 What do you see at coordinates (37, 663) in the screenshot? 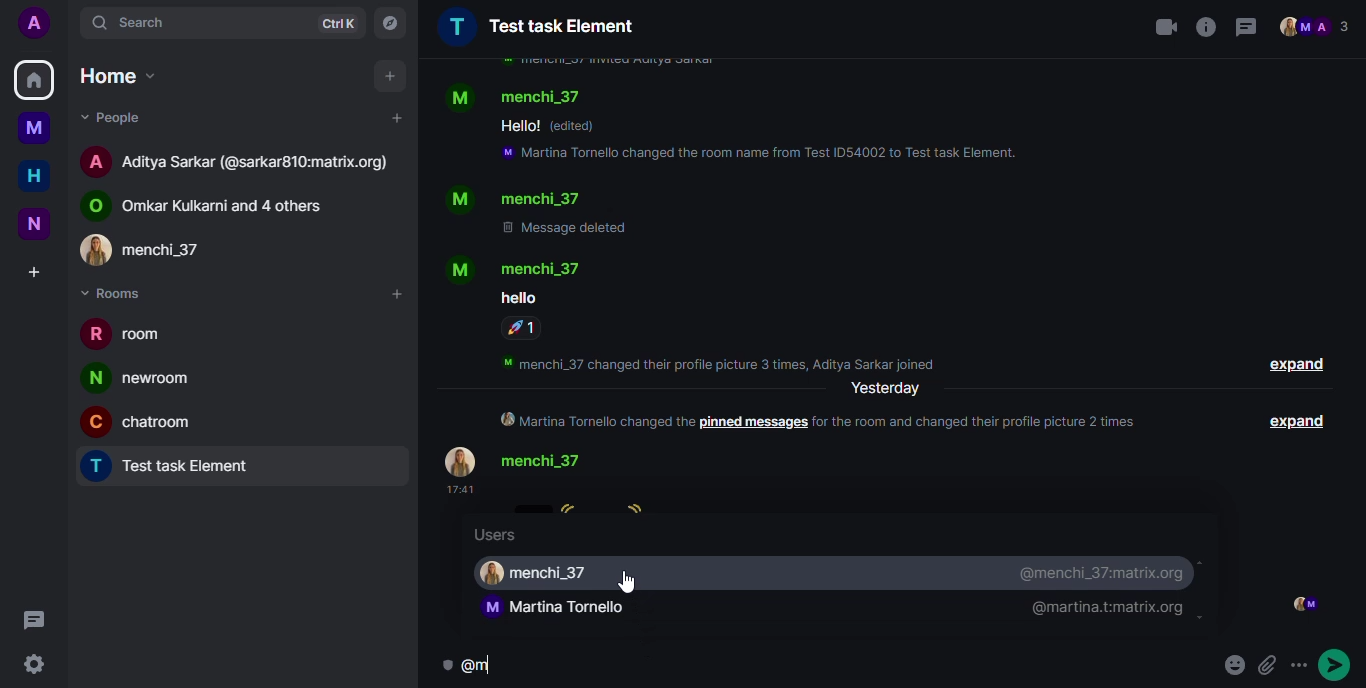
I see `quick settings` at bounding box center [37, 663].